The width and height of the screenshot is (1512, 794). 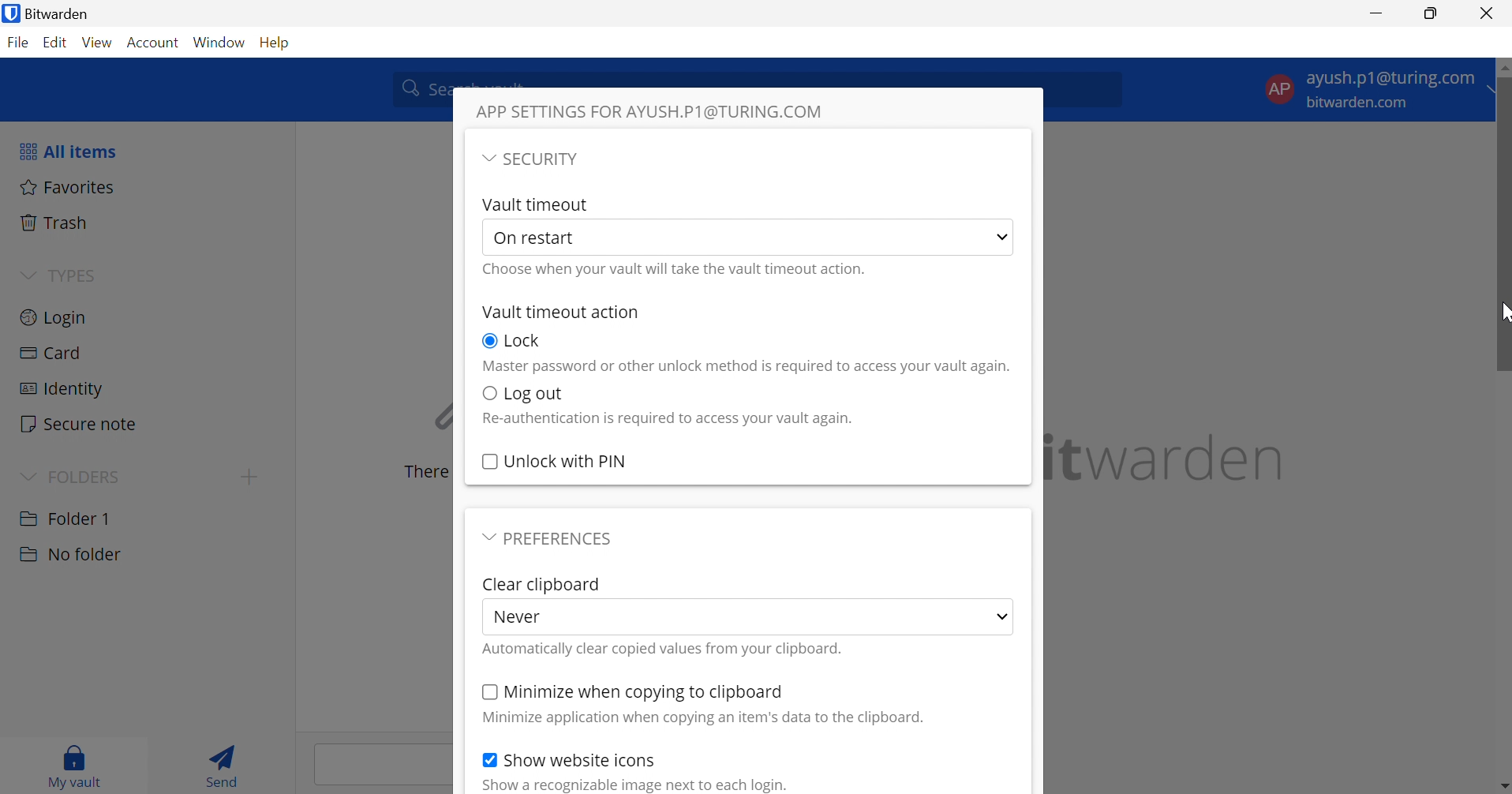 What do you see at coordinates (27, 474) in the screenshot?
I see `Drop Down` at bounding box center [27, 474].